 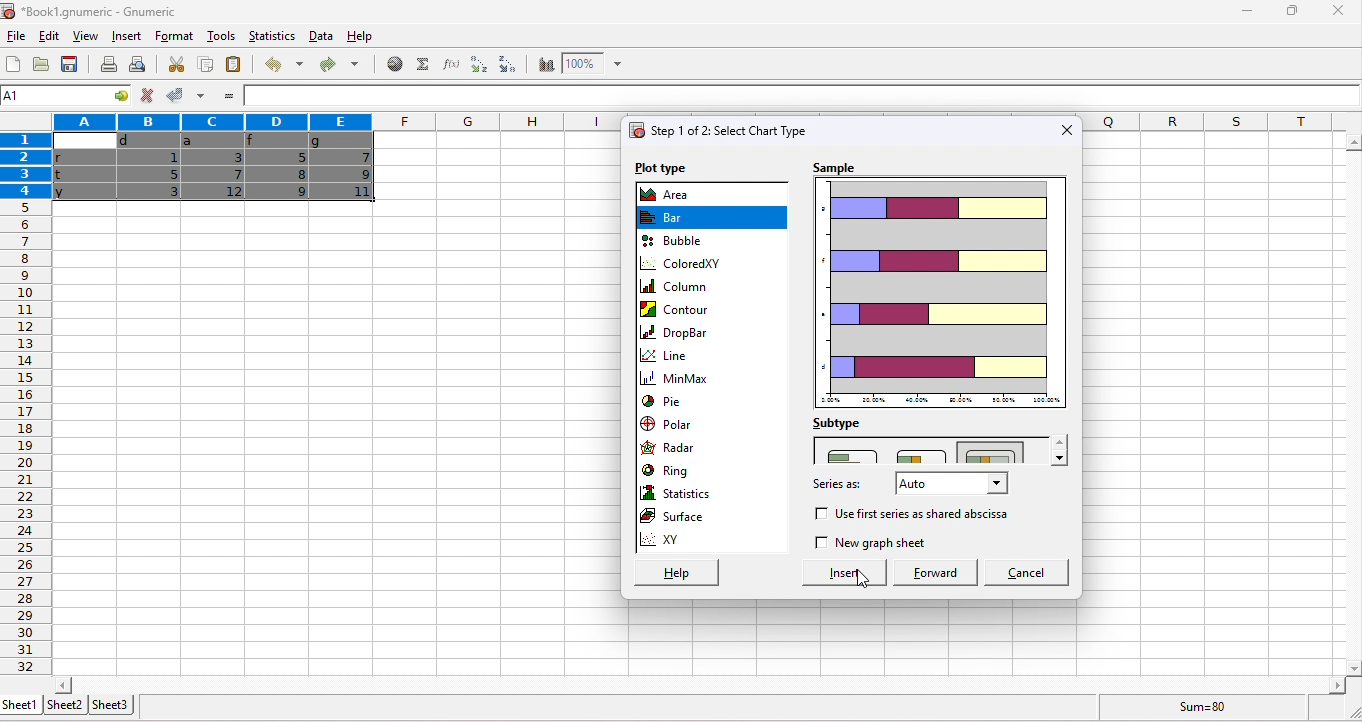 What do you see at coordinates (203, 64) in the screenshot?
I see `copy` at bounding box center [203, 64].